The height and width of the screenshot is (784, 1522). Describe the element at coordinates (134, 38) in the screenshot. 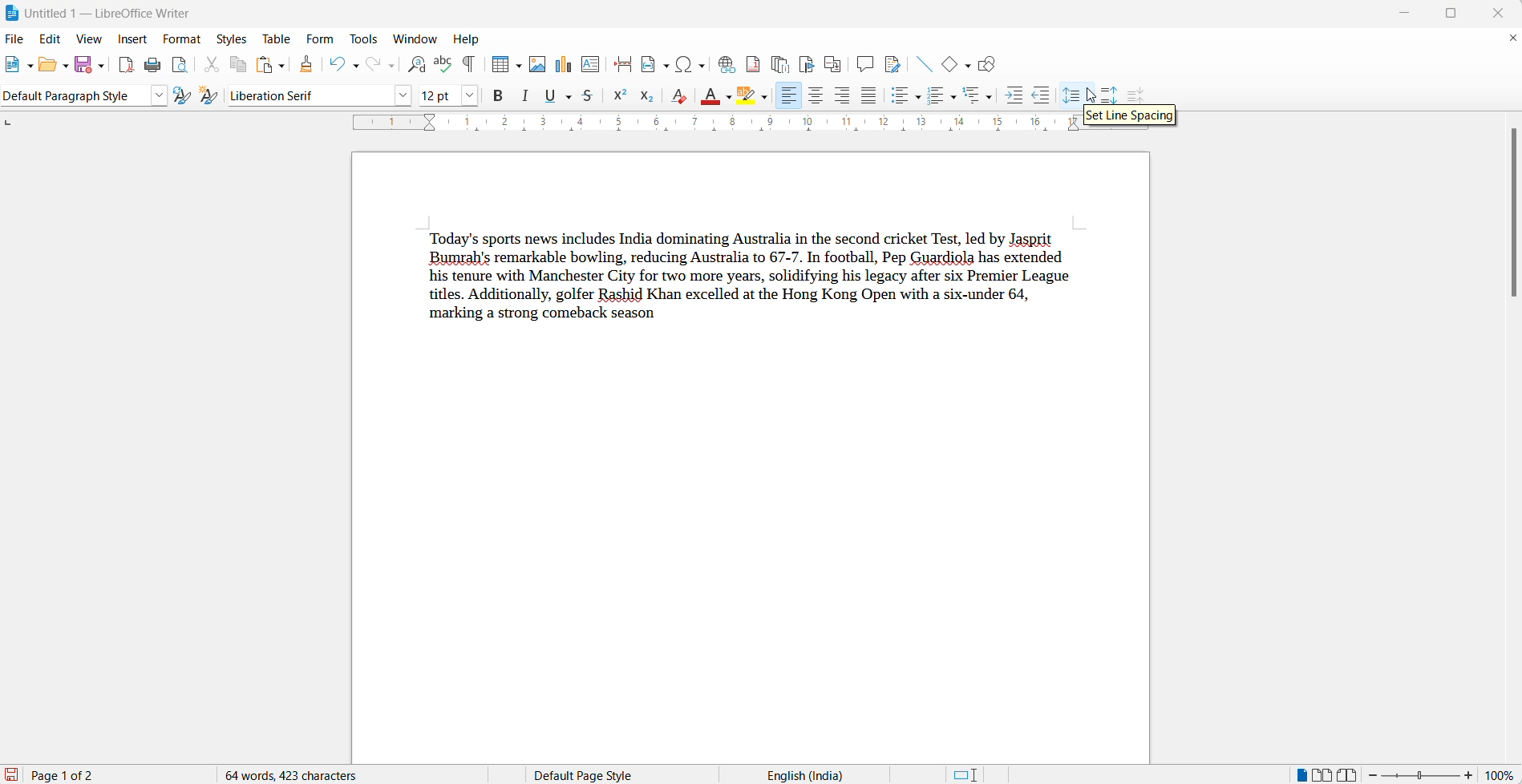

I see `insert` at that location.